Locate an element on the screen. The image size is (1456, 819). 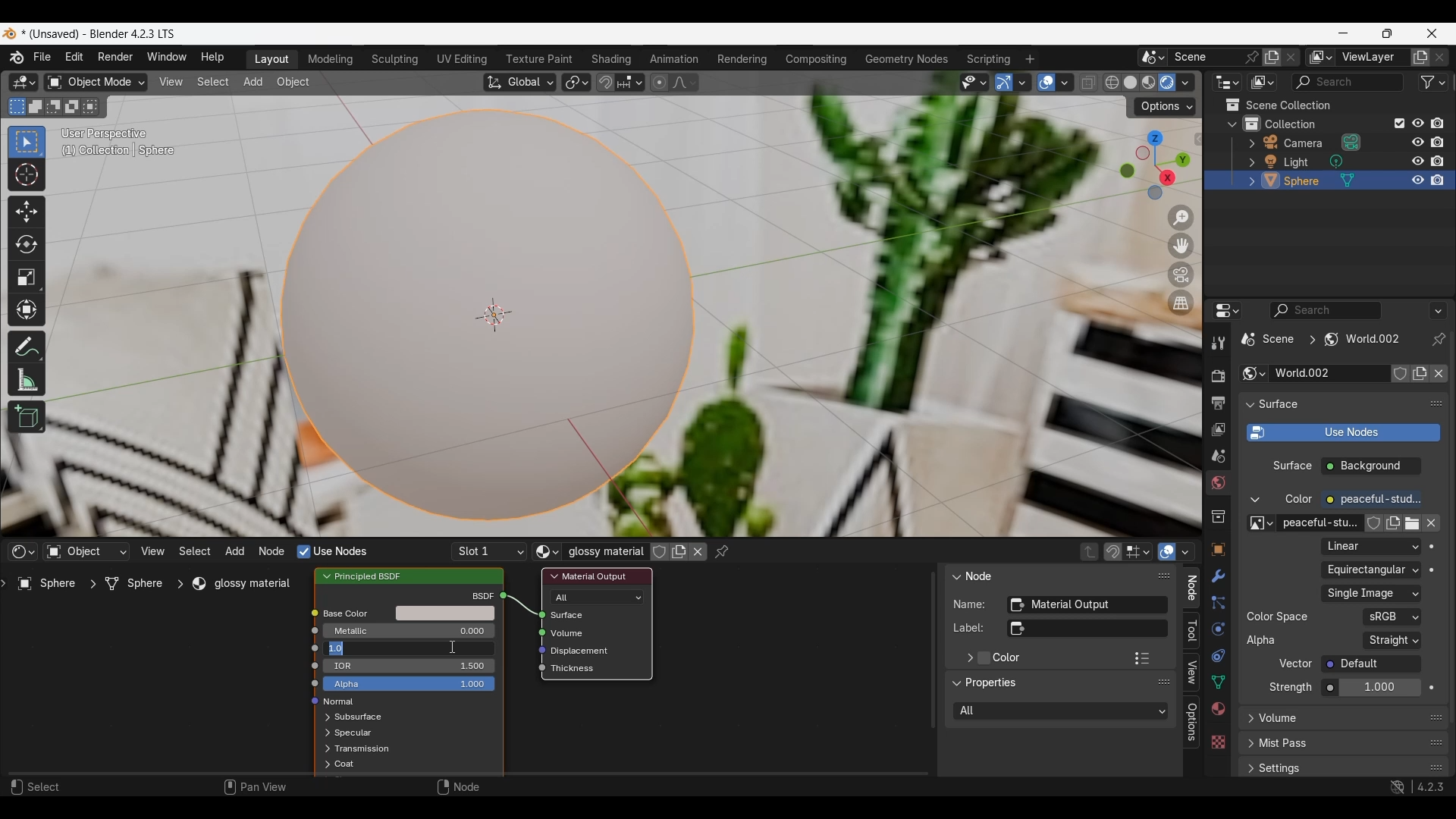
Proportional editing objects is located at coordinates (661, 83).